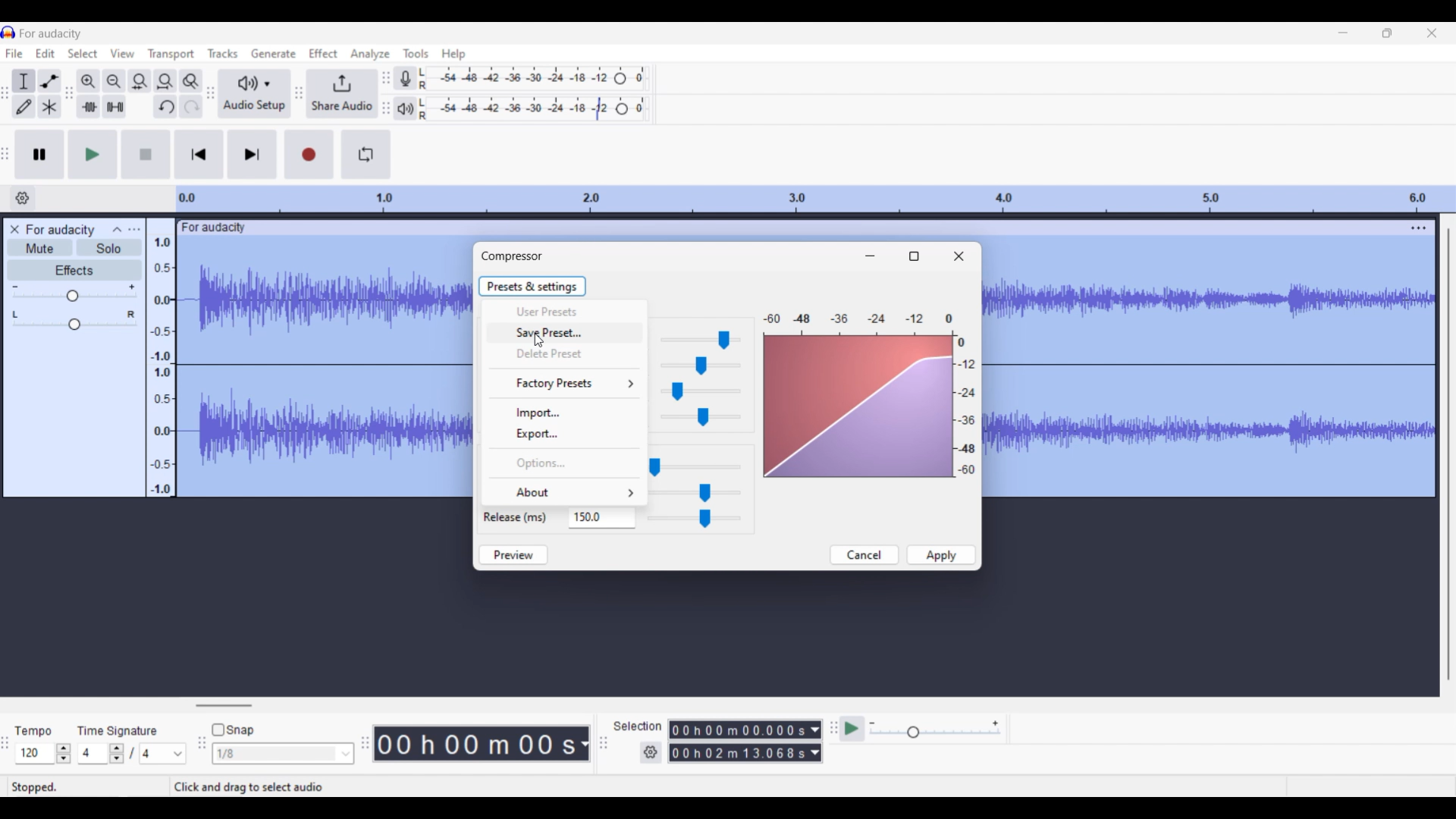 This screenshot has height=819, width=1456. What do you see at coordinates (538, 341) in the screenshot?
I see `Cursor` at bounding box center [538, 341].